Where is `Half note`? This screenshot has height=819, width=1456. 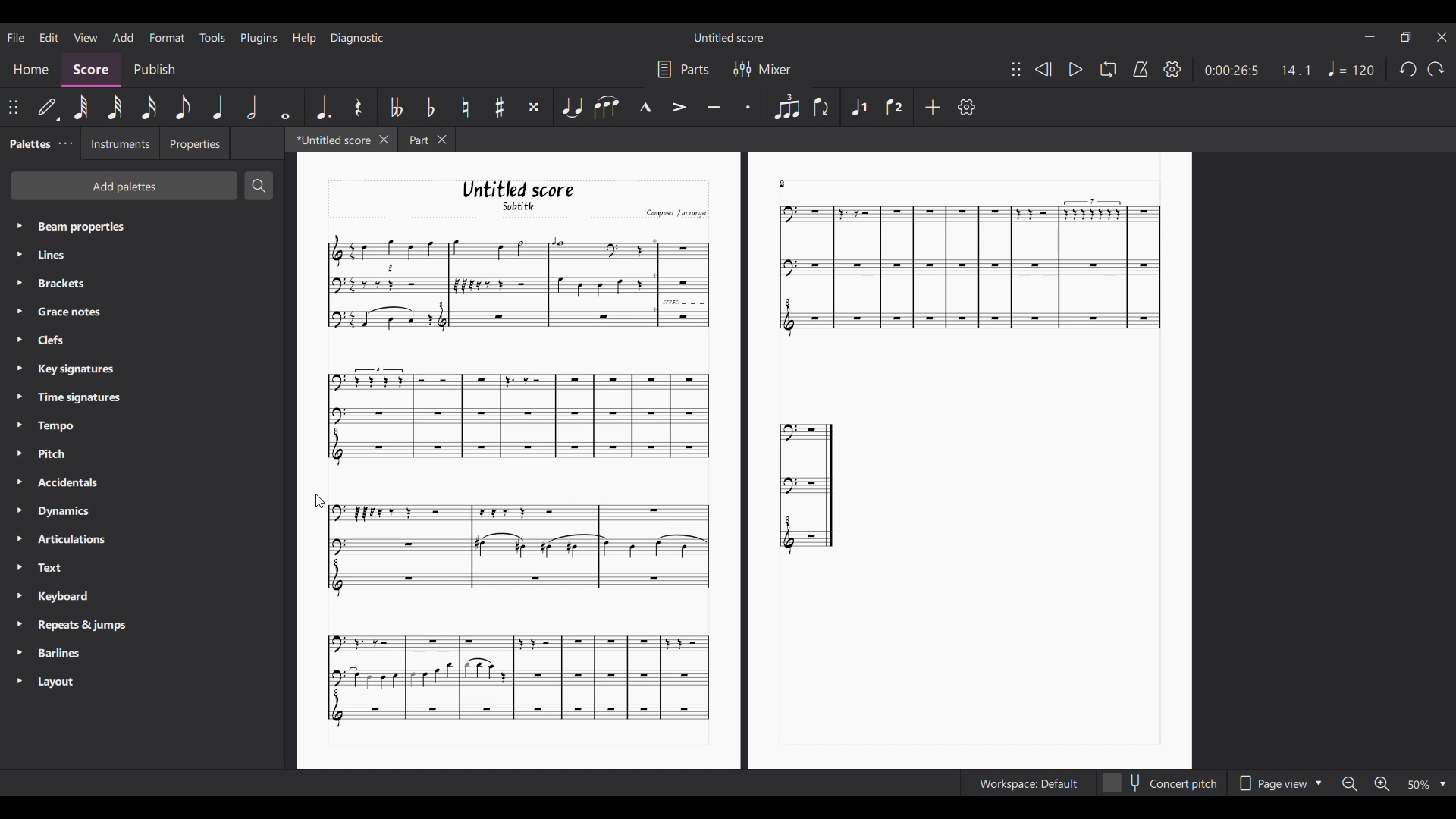
Half note is located at coordinates (252, 107).